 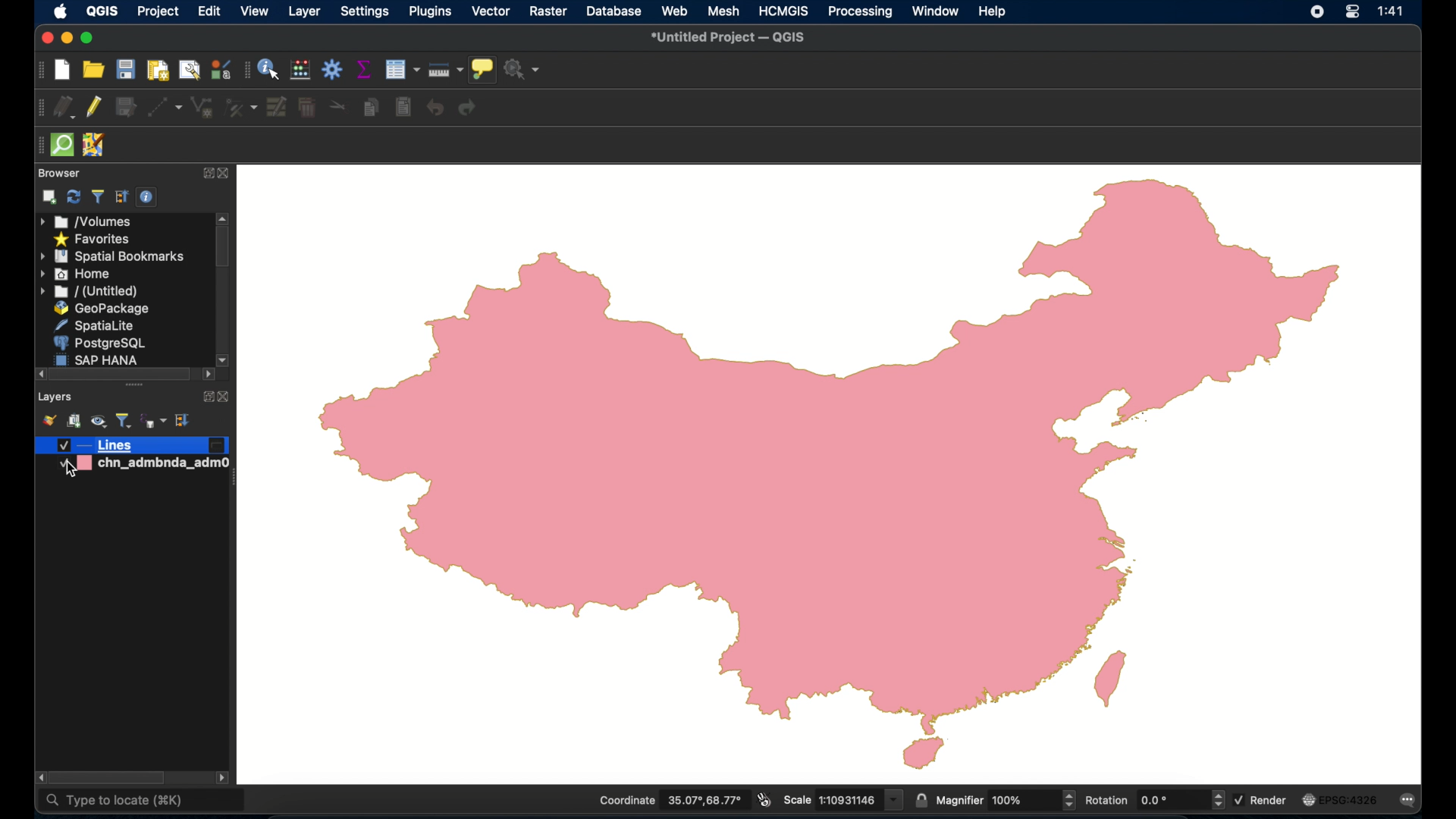 I want to click on no action selected, so click(x=523, y=69).